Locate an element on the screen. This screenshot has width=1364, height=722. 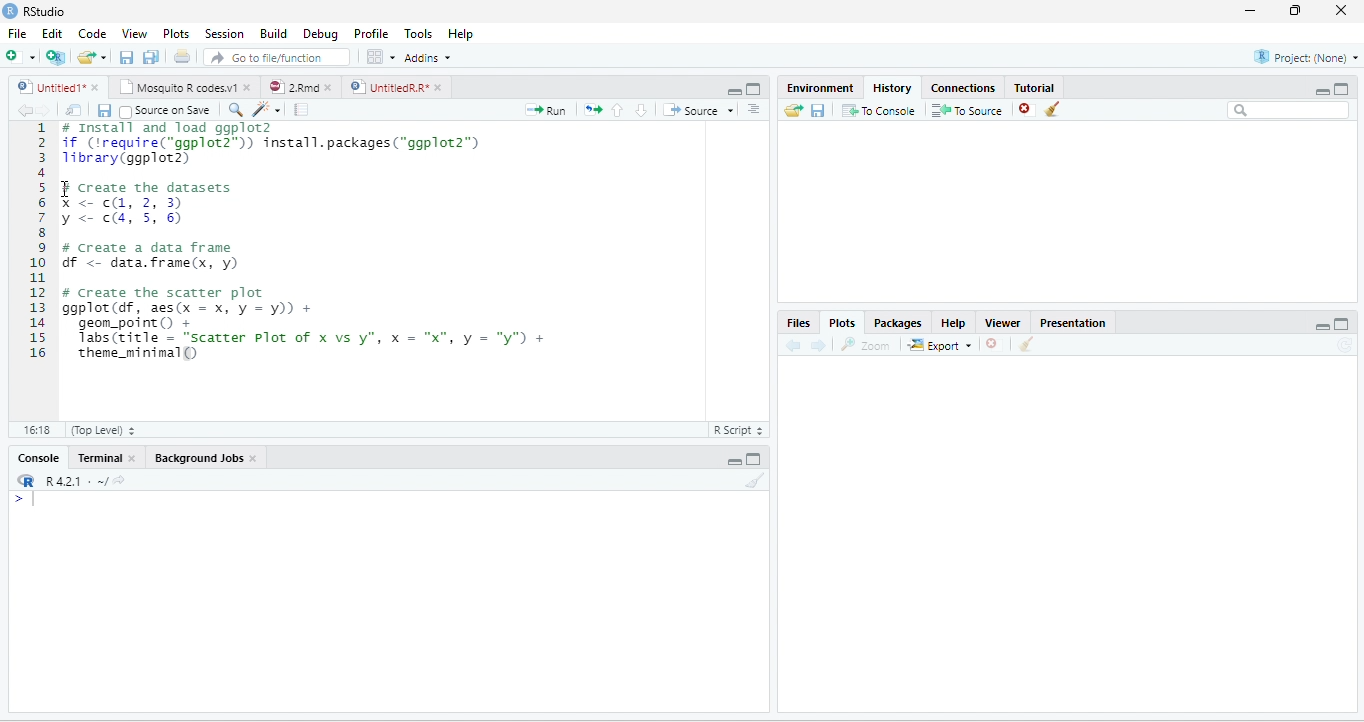
To Console is located at coordinates (879, 111).